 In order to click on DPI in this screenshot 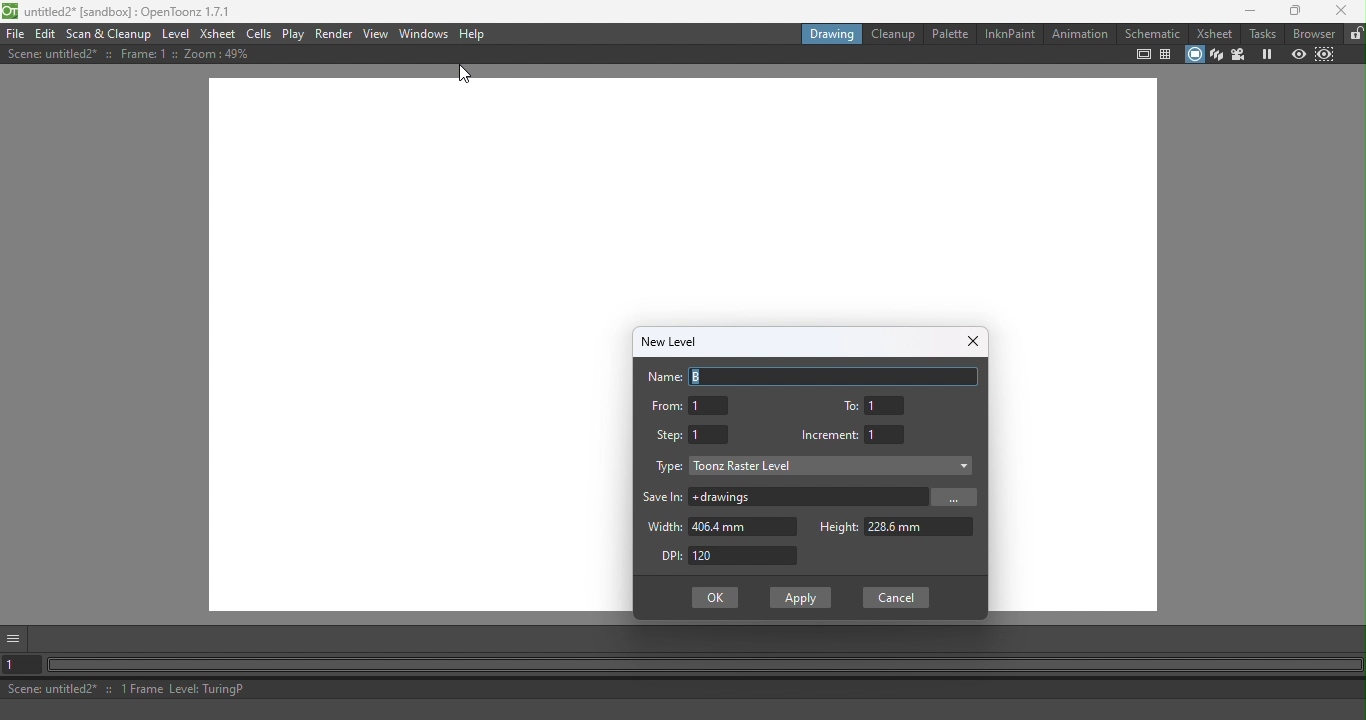, I will do `click(745, 555)`.